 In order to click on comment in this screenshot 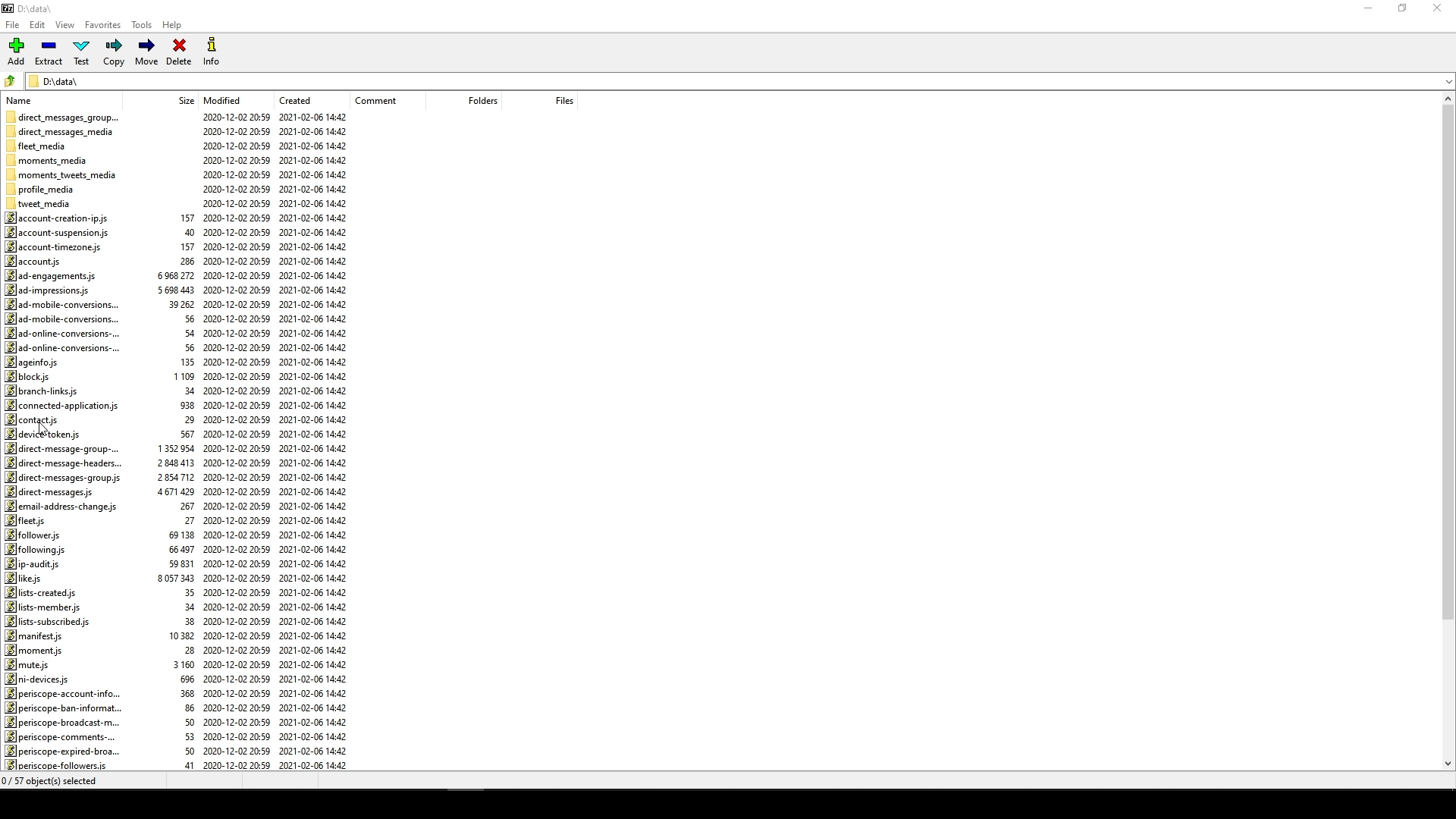, I will do `click(381, 100)`.